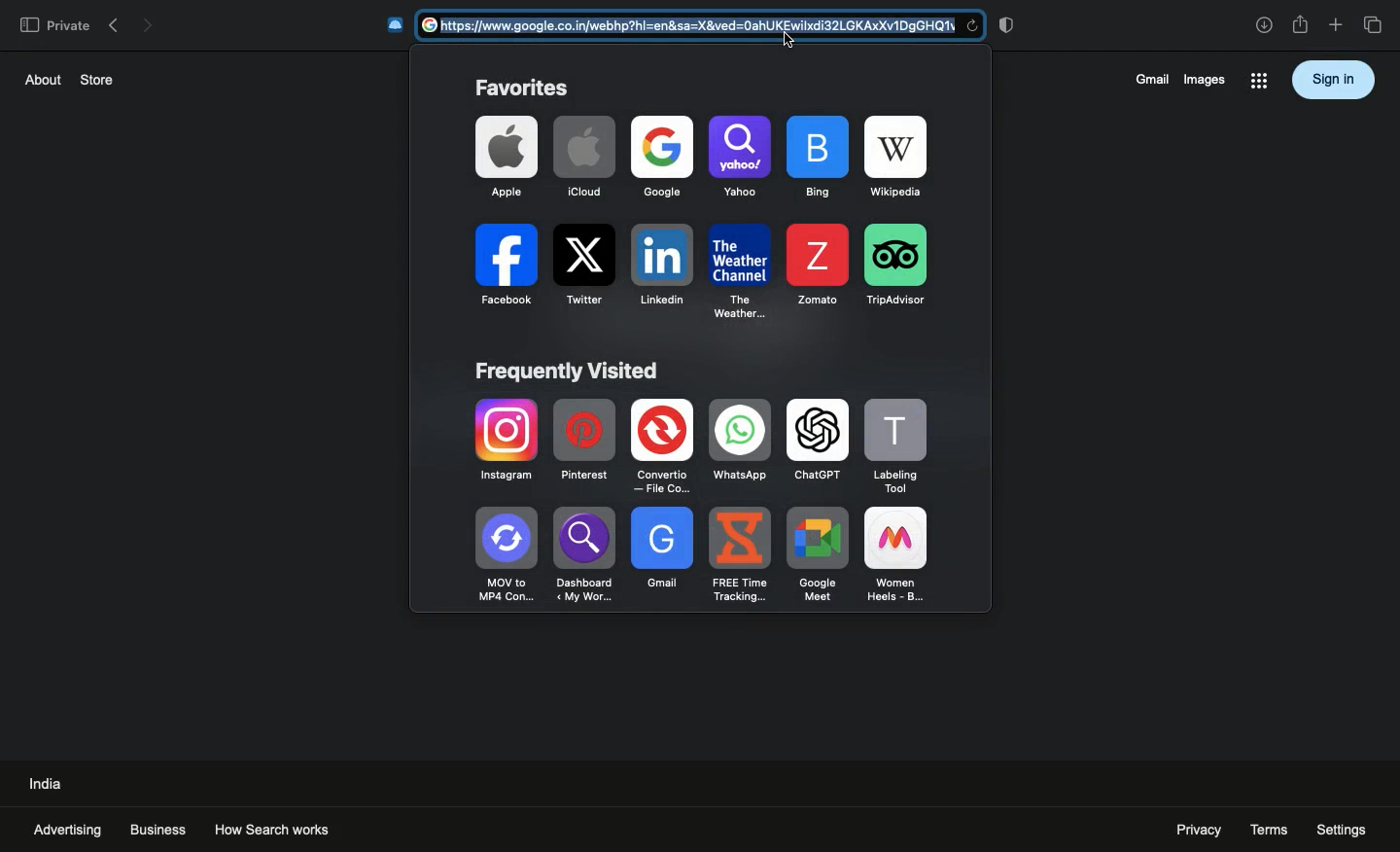 The width and height of the screenshot is (1400, 852). What do you see at coordinates (1335, 25) in the screenshot?
I see `Add tab` at bounding box center [1335, 25].